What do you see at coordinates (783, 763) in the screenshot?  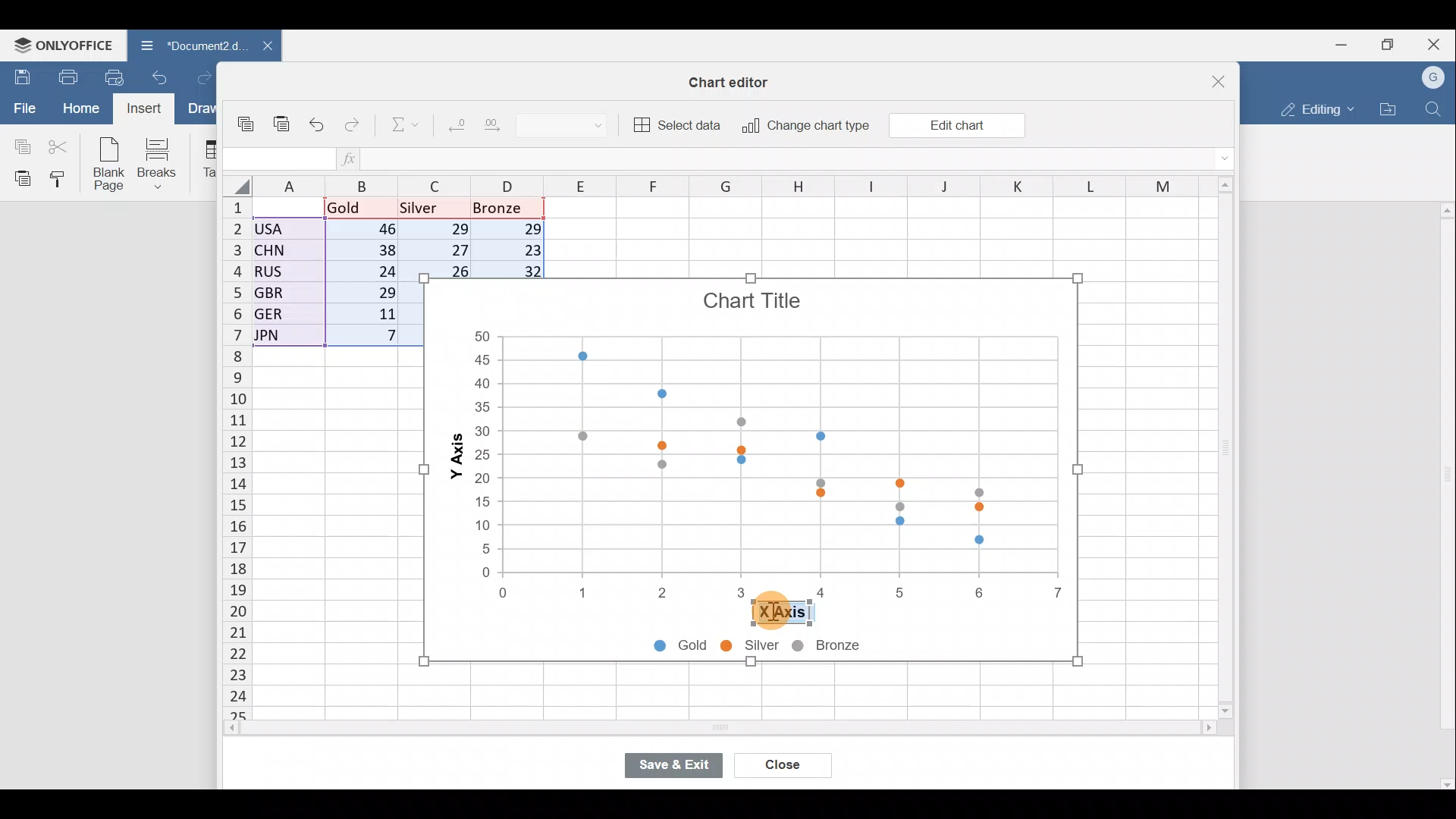 I see `Close` at bounding box center [783, 763].